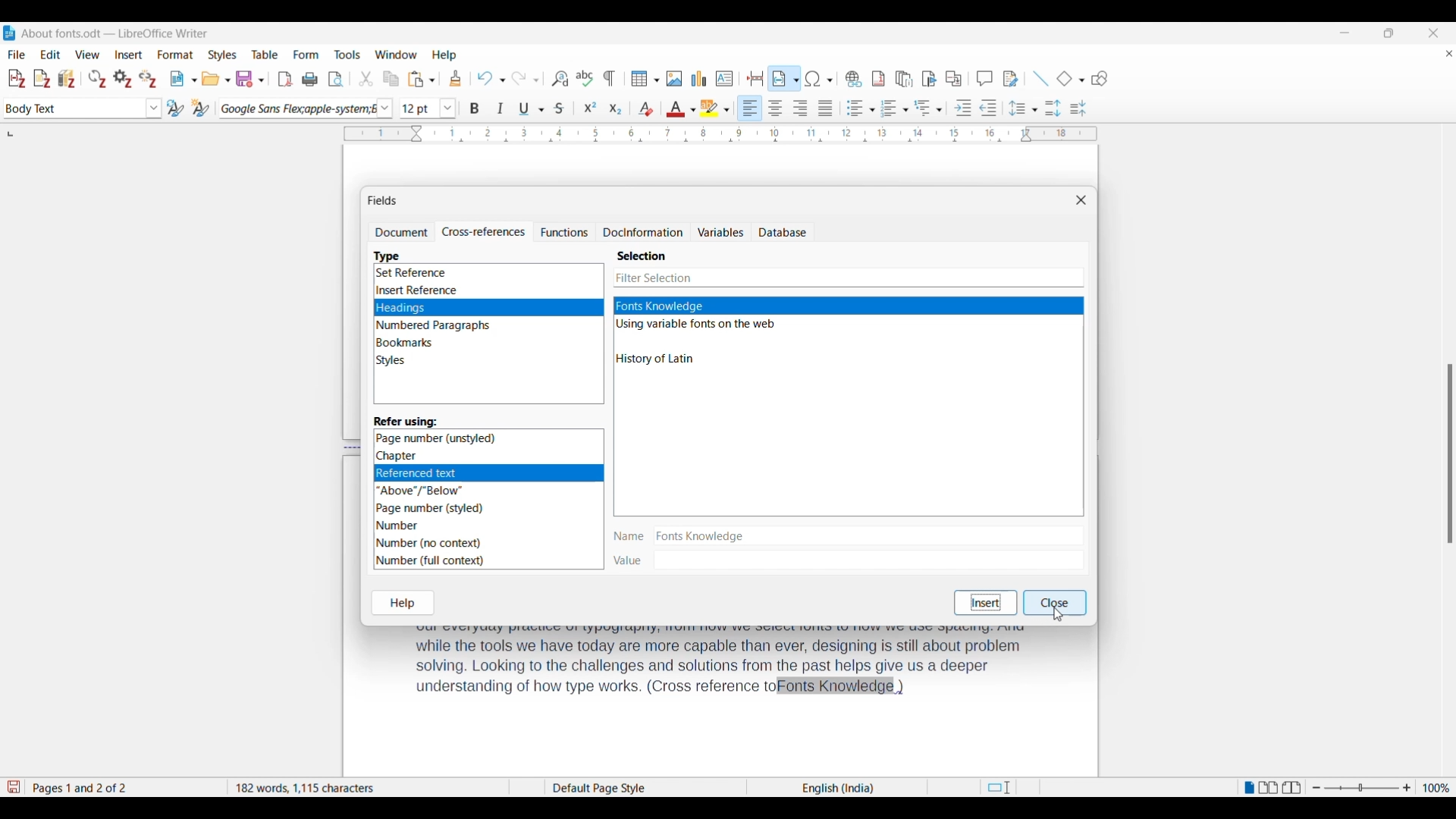  I want to click on Underline options, so click(531, 108).